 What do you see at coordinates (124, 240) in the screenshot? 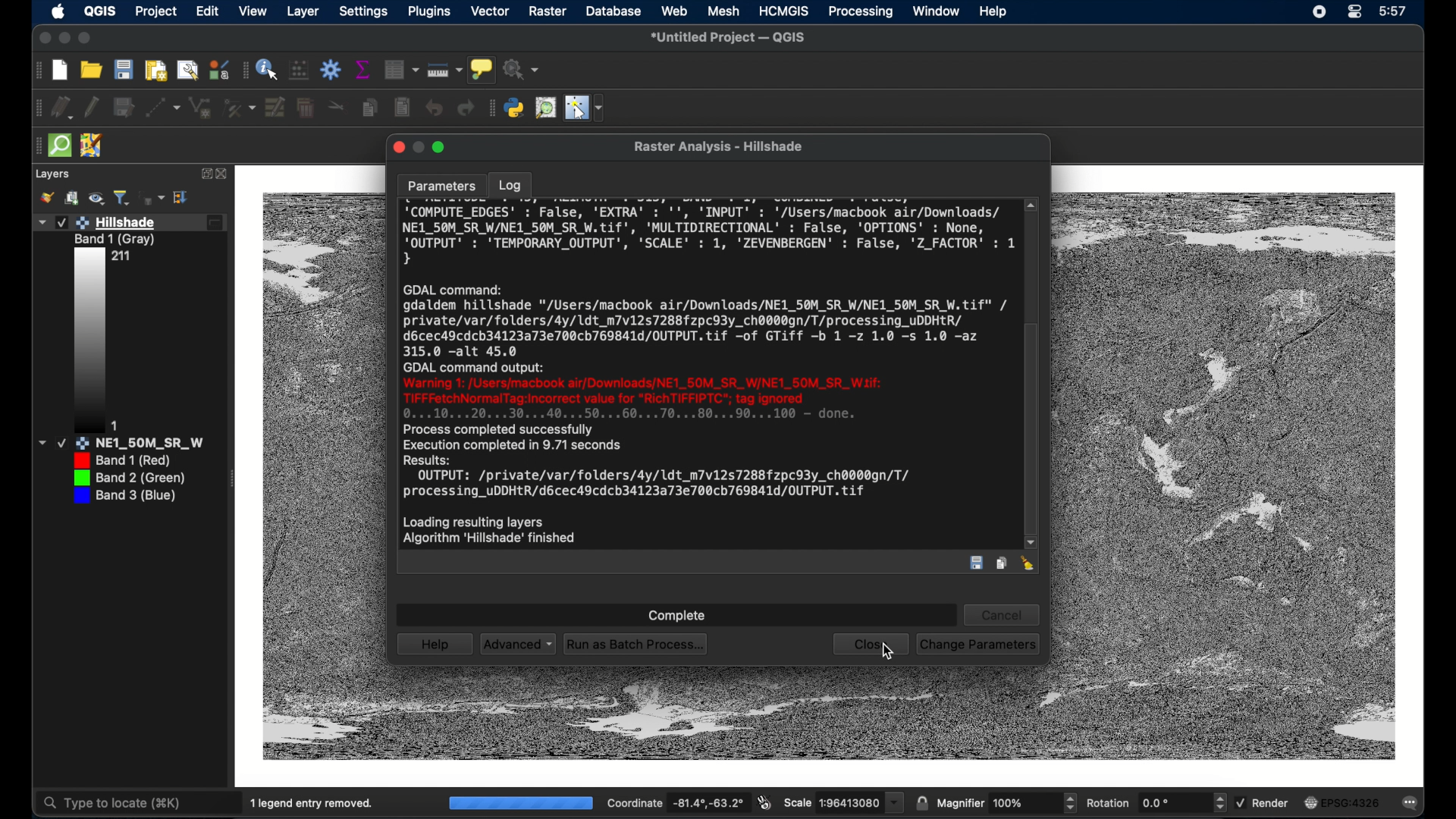
I see `Band 1 (Gray)` at bounding box center [124, 240].